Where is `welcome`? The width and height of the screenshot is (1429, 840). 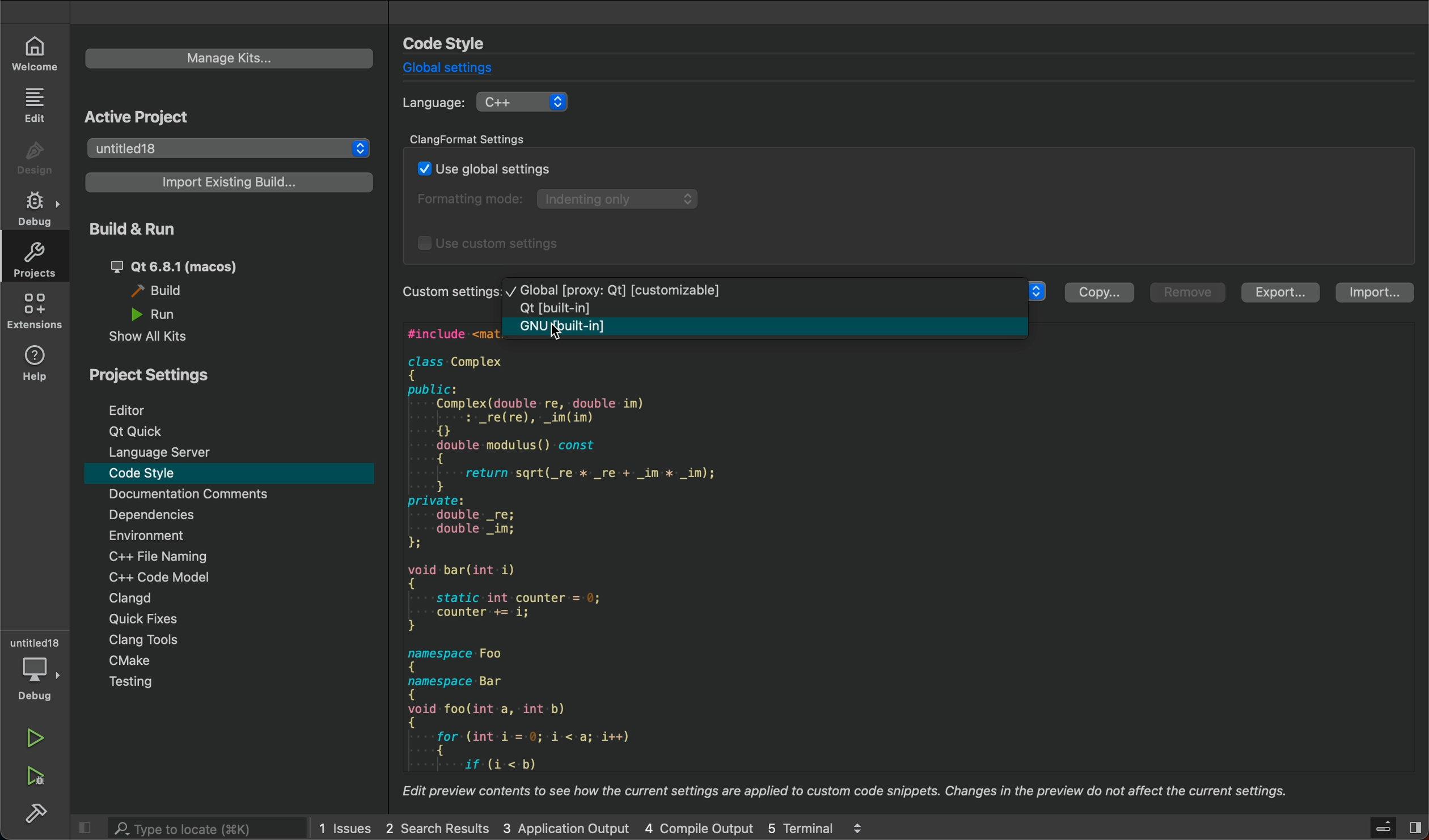 welcome is located at coordinates (36, 54).